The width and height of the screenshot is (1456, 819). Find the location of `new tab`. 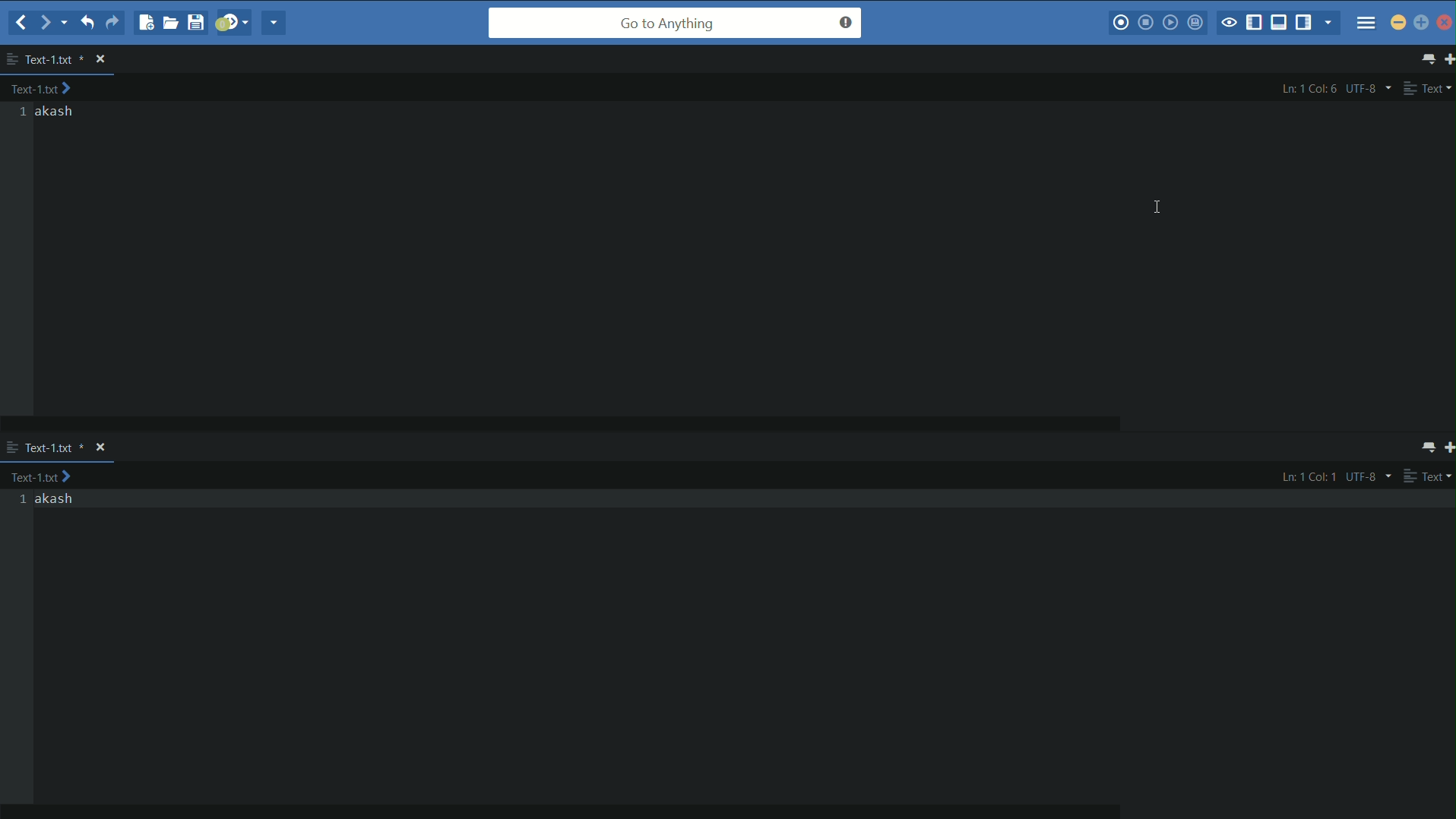

new tab is located at coordinates (1447, 58).